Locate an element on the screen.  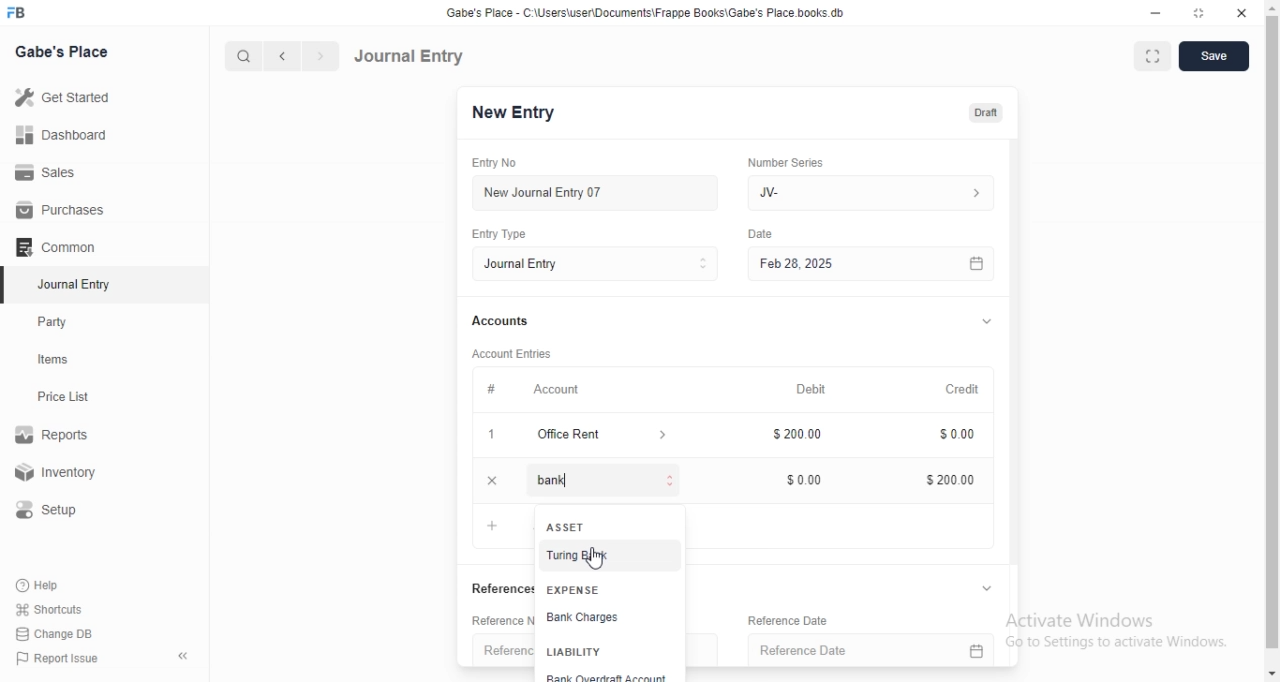
Entry Type is located at coordinates (602, 264).